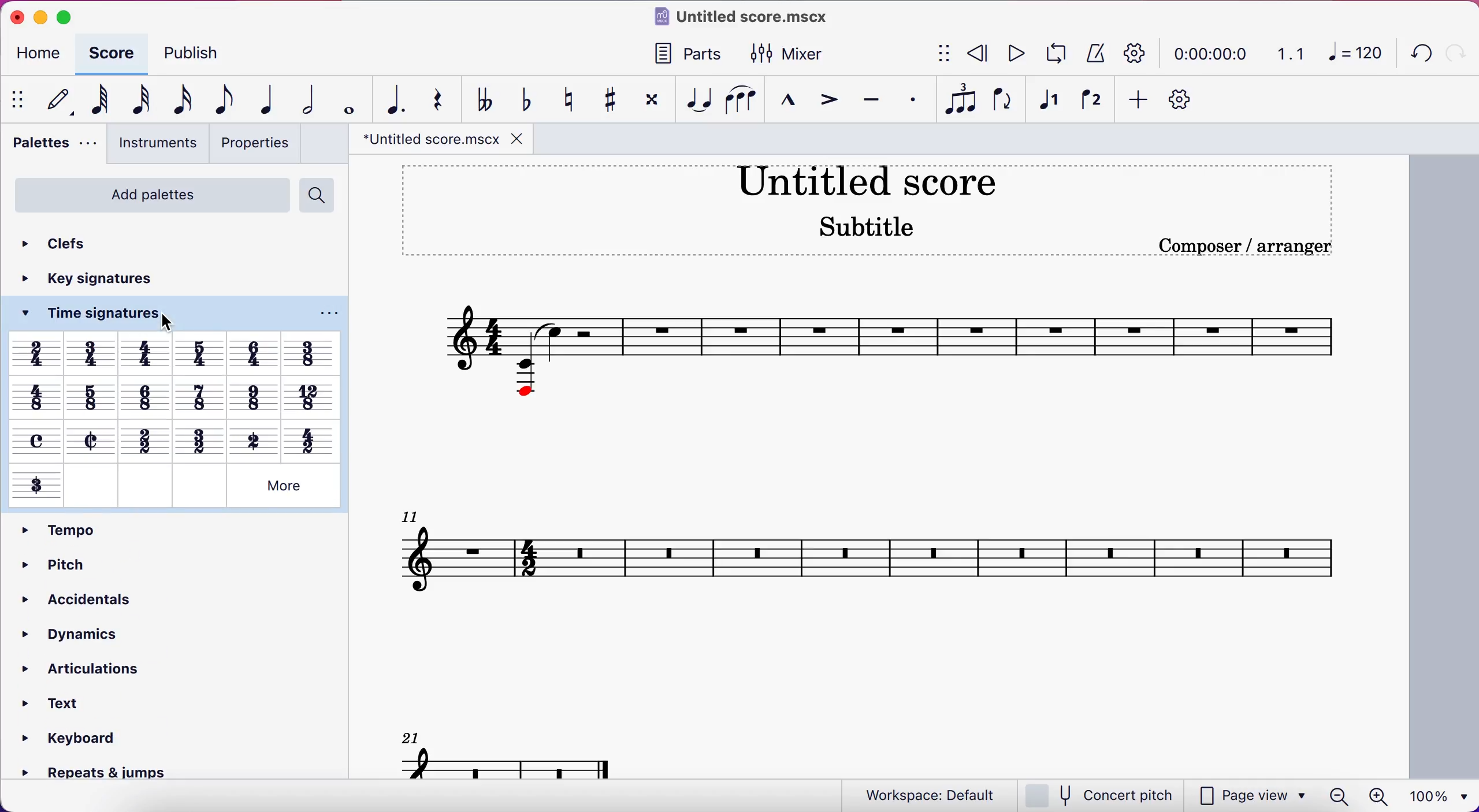 Image resolution: width=1479 pixels, height=812 pixels. What do you see at coordinates (58, 102) in the screenshot?
I see `default` at bounding box center [58, 102].